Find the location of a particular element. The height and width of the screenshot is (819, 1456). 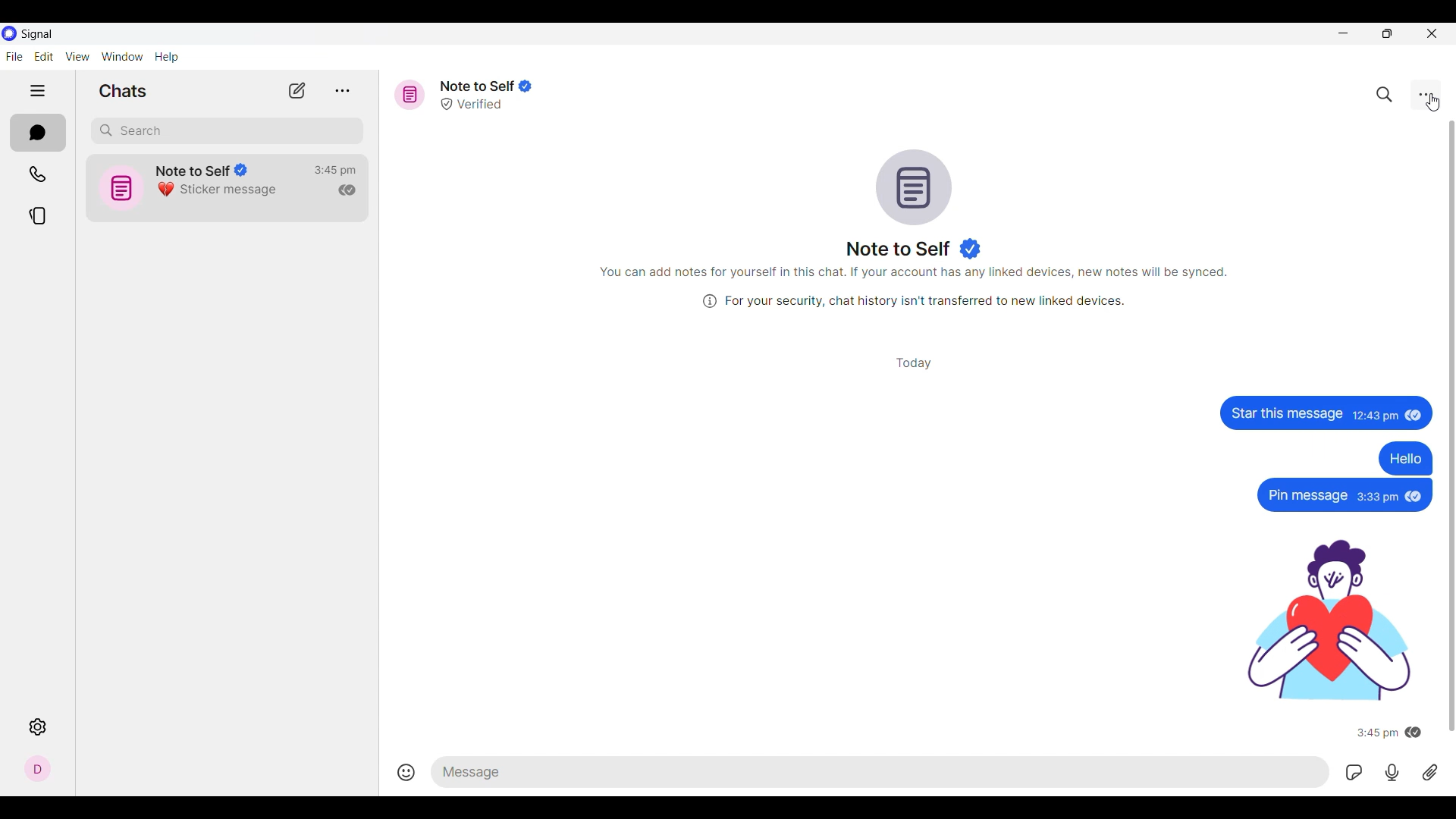

Star this message is located at coordinates (1288, 415).